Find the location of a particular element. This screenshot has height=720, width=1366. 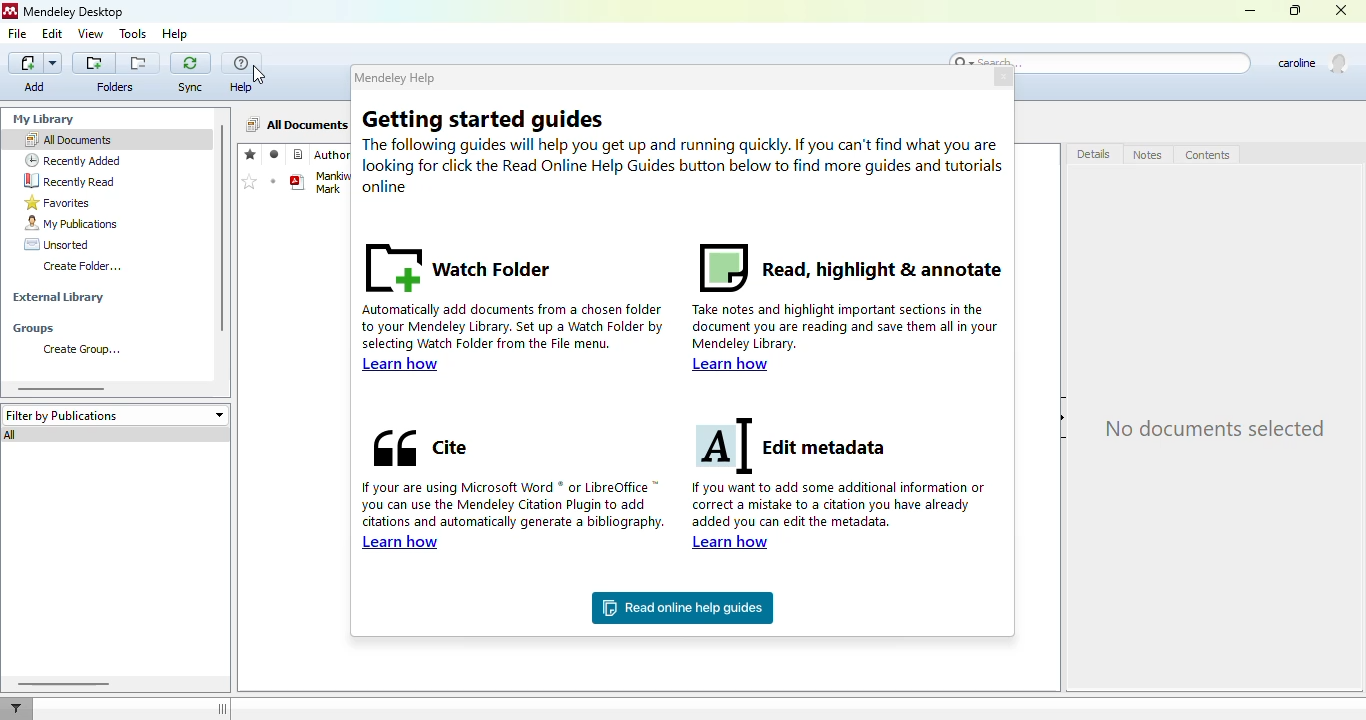

favorites is located at coordinates (249, 155).